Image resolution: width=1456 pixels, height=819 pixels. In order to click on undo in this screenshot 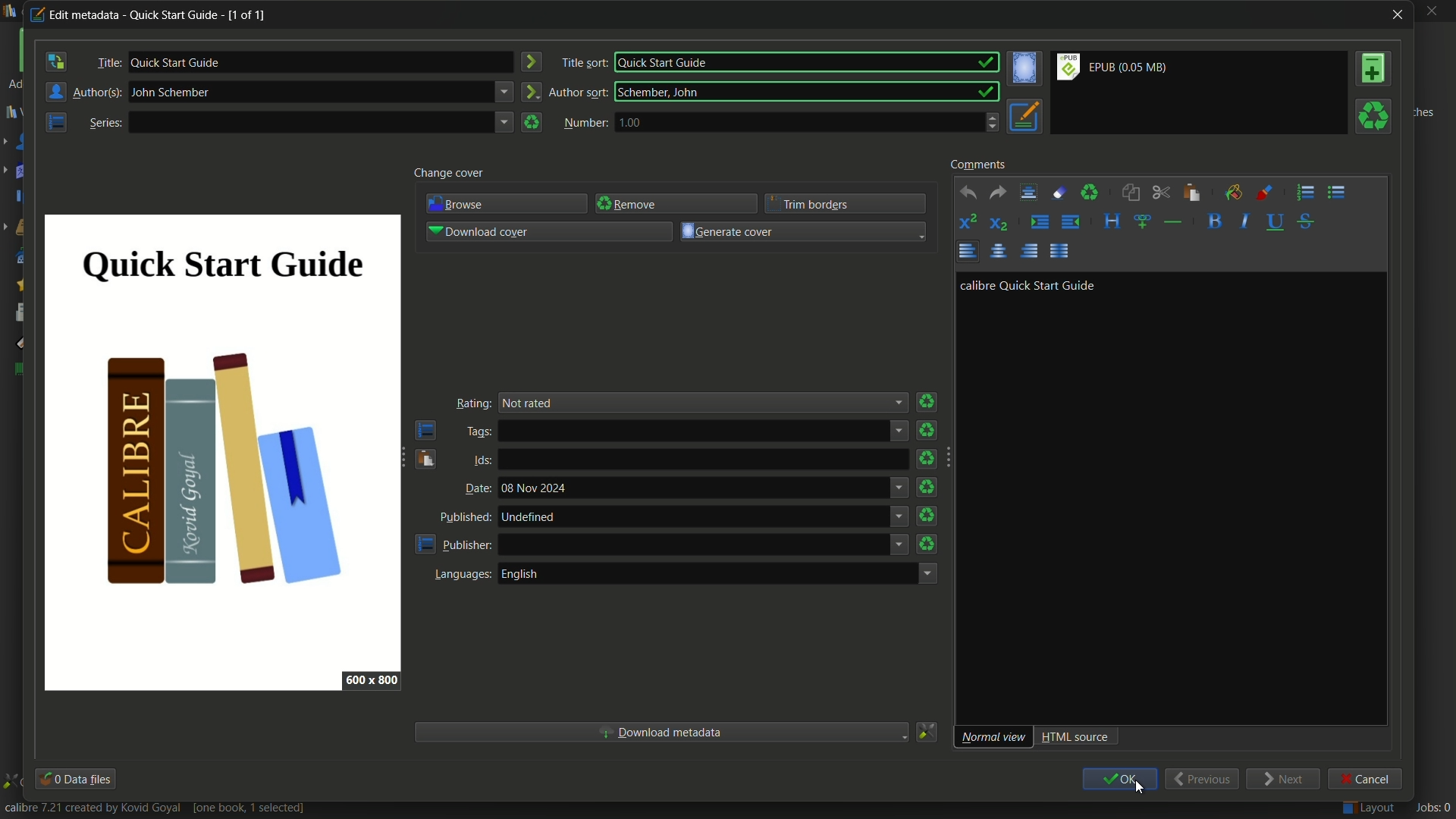, I will do `click(970, 192)`.